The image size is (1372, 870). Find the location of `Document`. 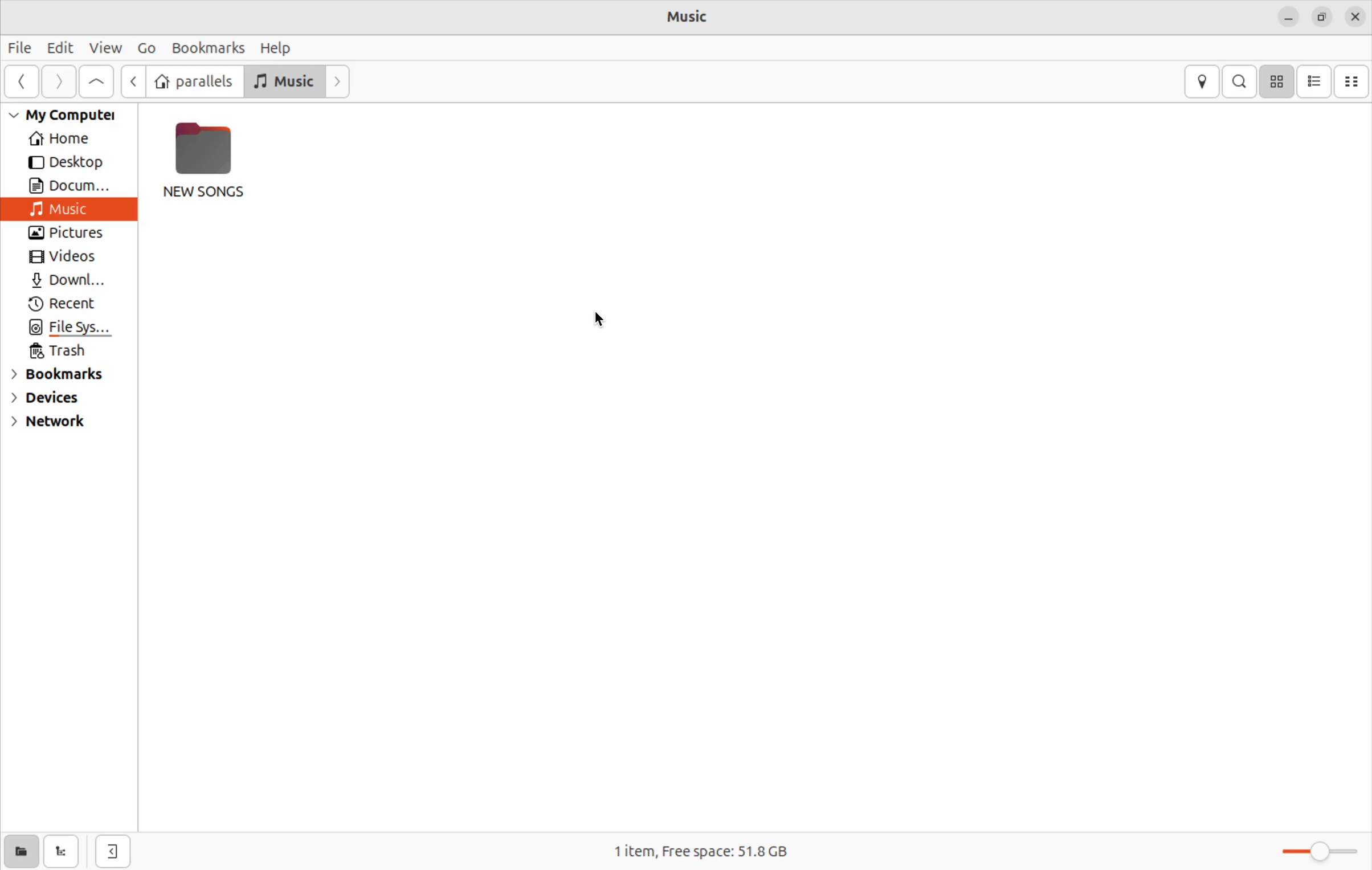

Document is located at coordinates (67, 185).